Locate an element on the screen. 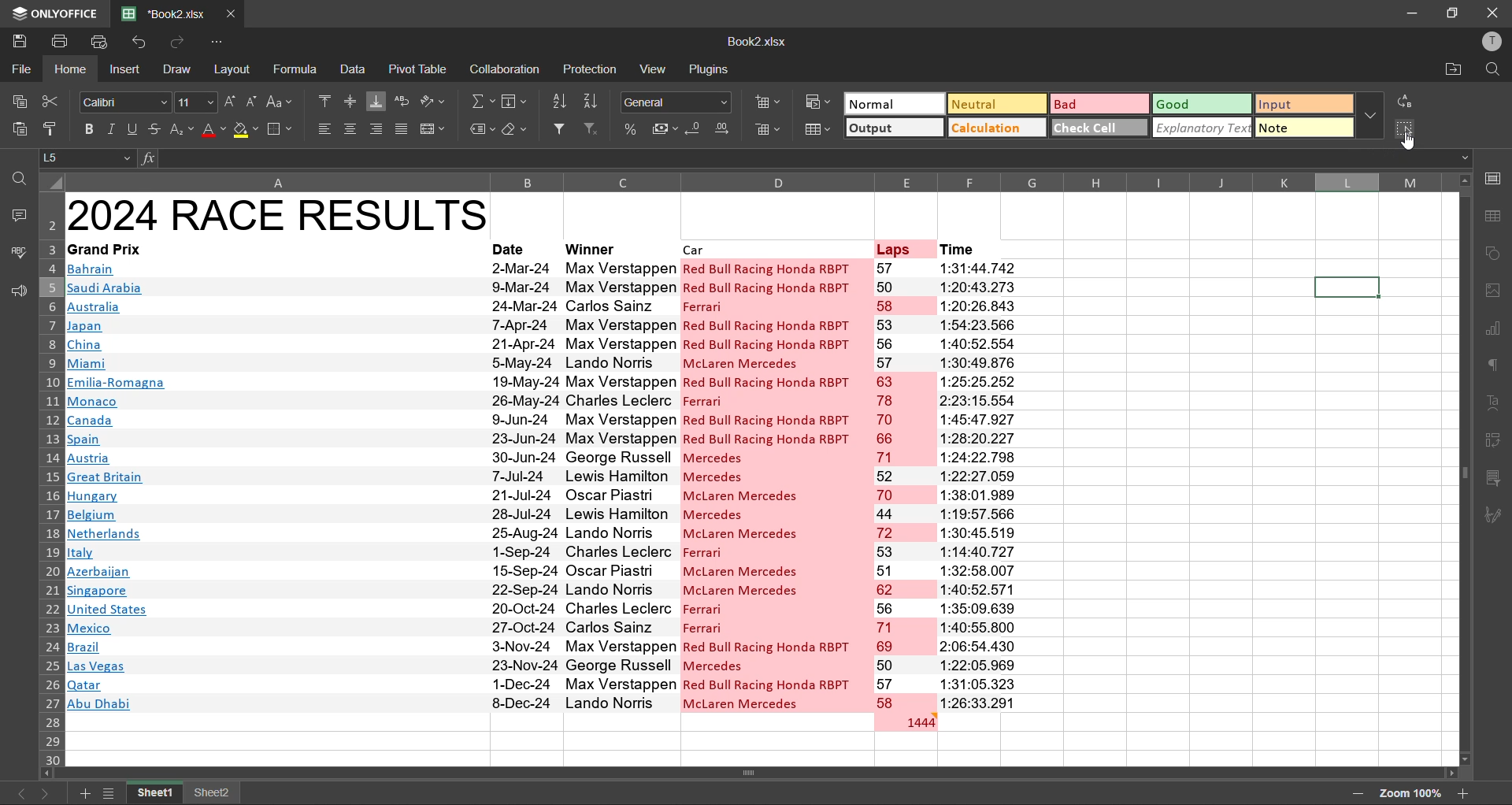  clear is located at coordinates (520, 132).